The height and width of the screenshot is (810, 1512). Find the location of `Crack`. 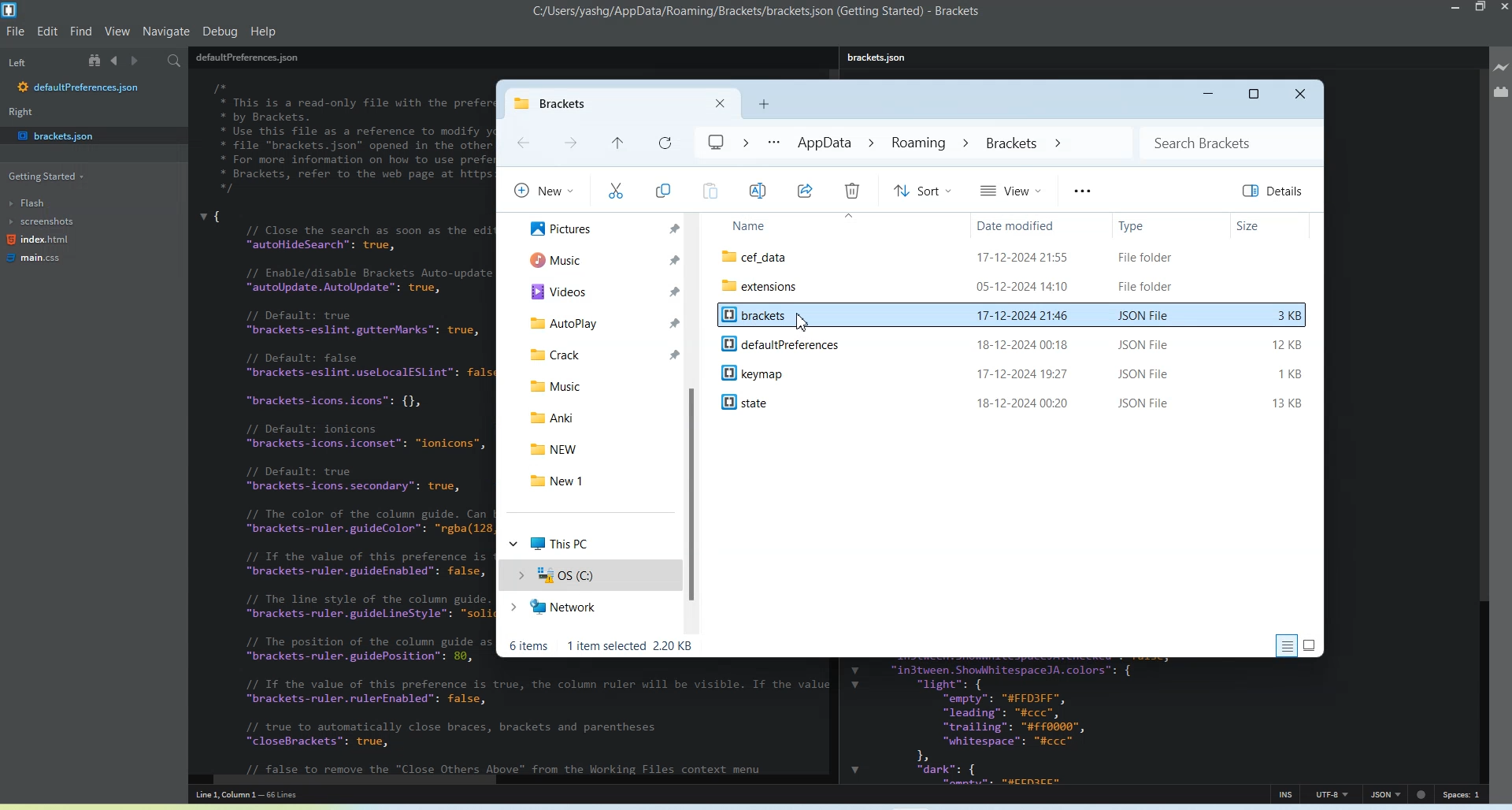

Crack is located at coordinates (595, 353).